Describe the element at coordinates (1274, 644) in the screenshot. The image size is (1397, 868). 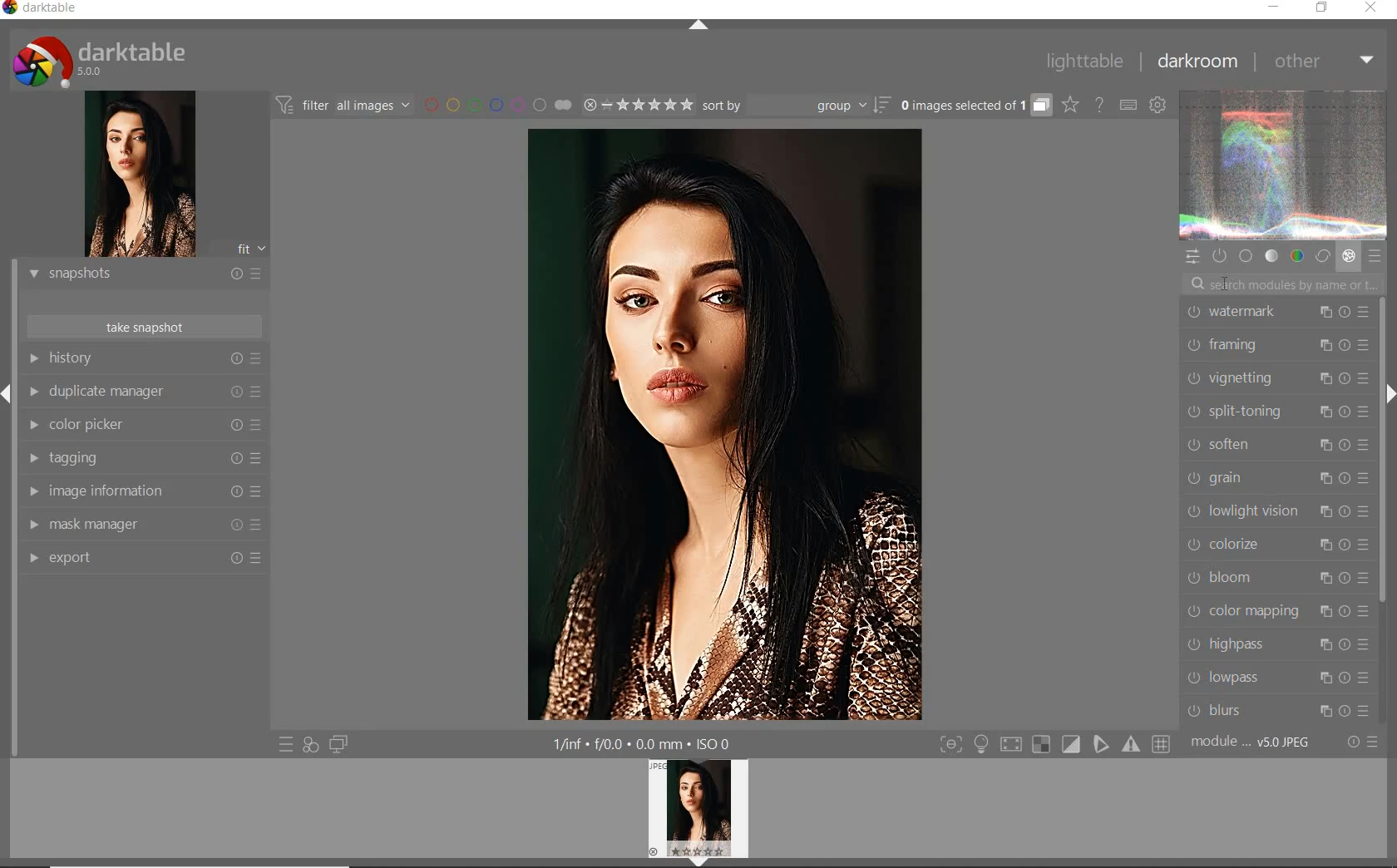
I see `HIGHPASS` at that location.